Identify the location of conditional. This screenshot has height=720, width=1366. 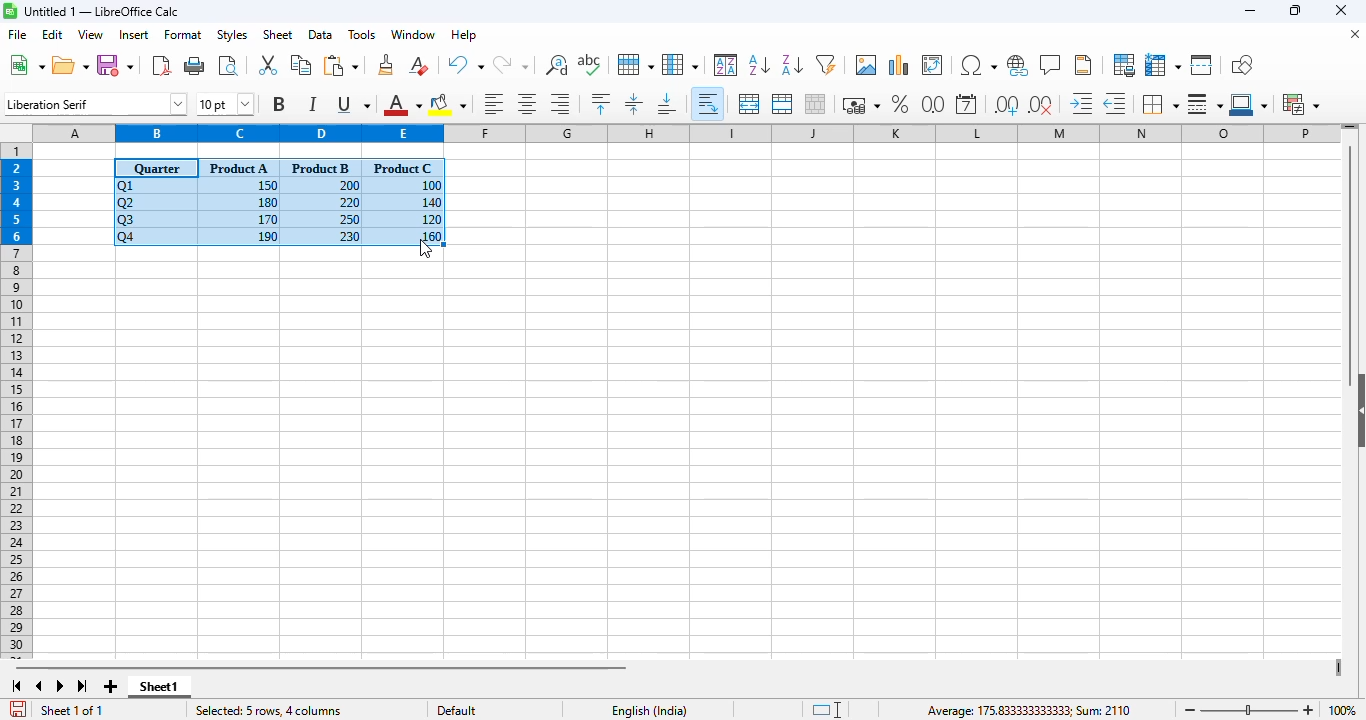
(1300, 104).